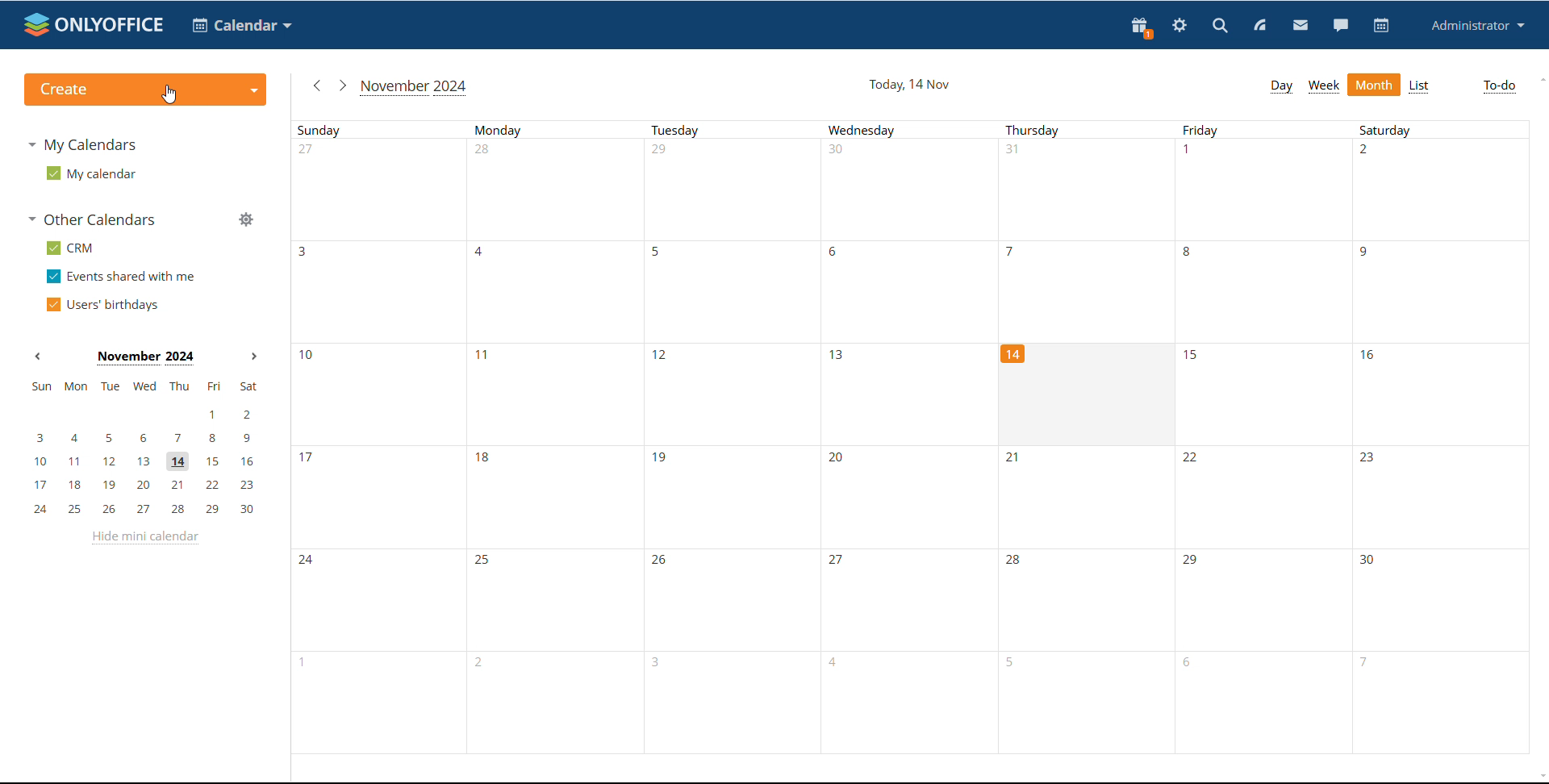 The image size is (1549, 784). What do you see at coordinates (1539, 775) in the screenshot?
I see `scroll down` at bounding box center [1539, 775].